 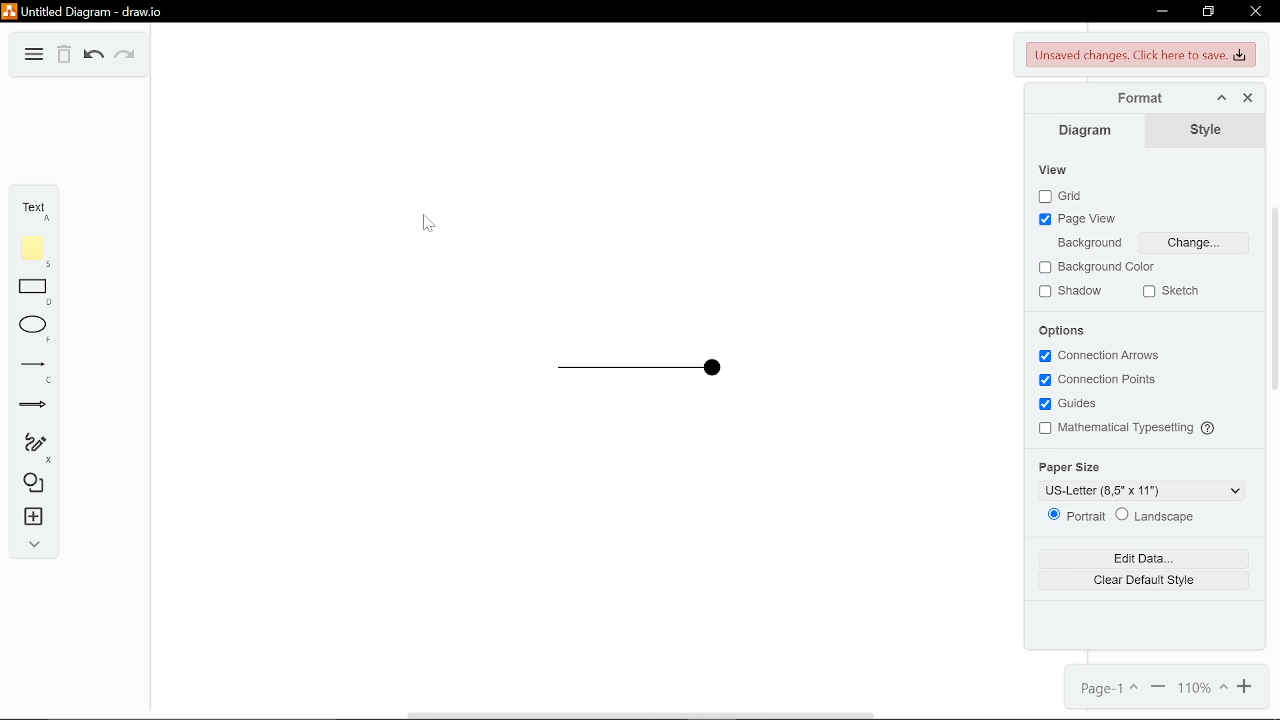 I want to click on Undo, so click(x=93, y=55).